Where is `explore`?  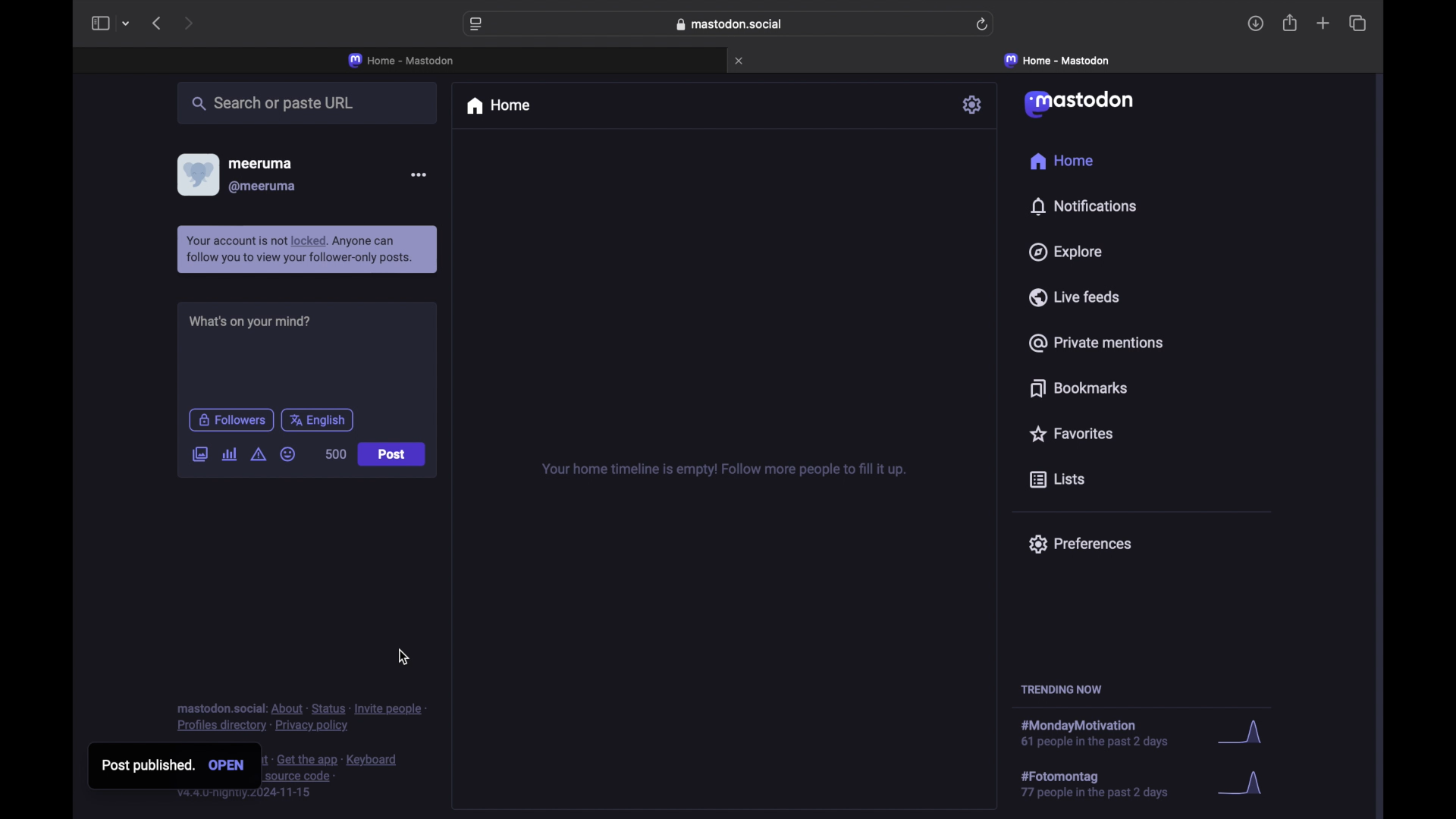 explore is located at coordinates (1066, 252).